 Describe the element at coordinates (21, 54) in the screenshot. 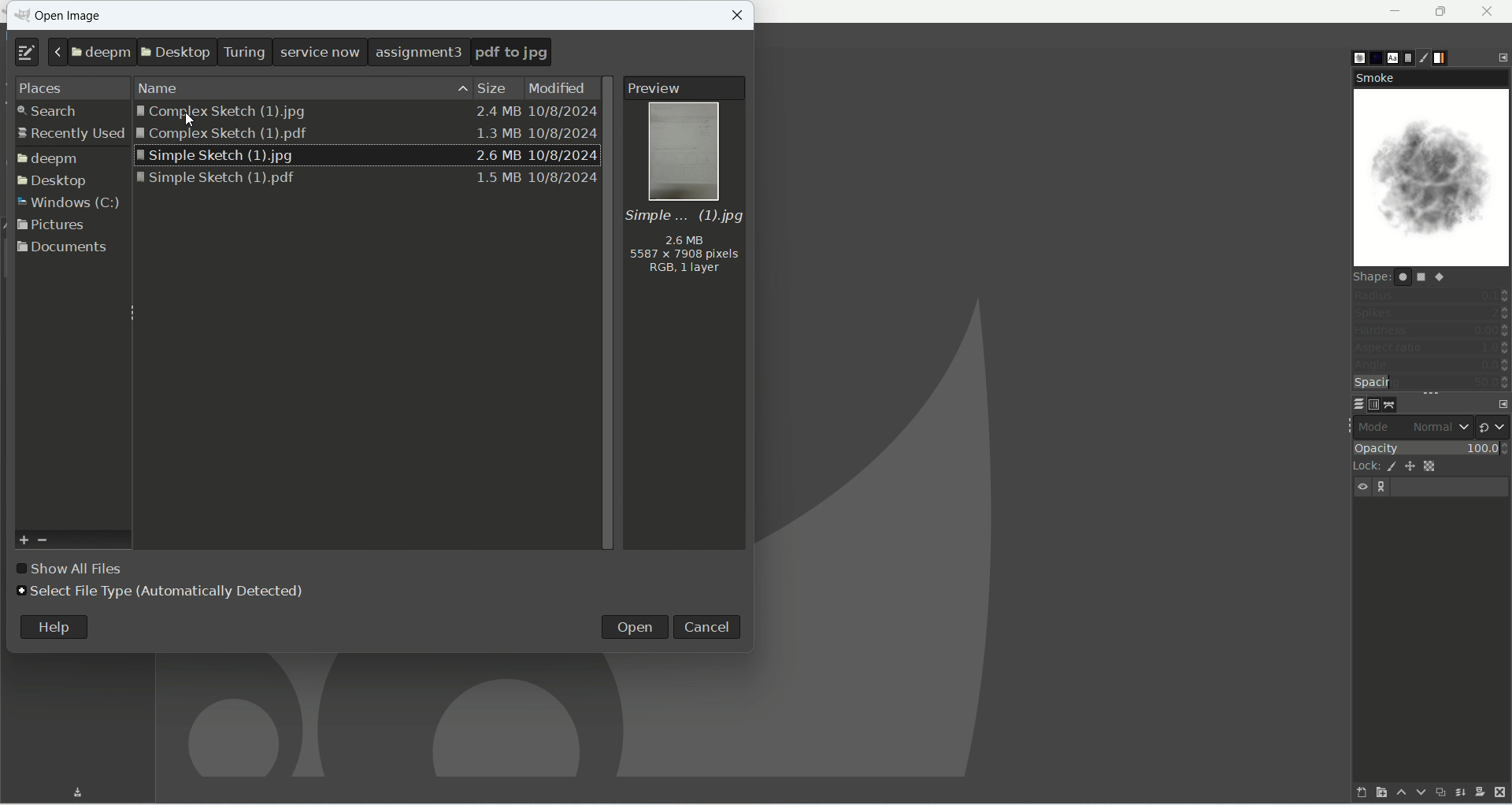

I see `type` at that location.